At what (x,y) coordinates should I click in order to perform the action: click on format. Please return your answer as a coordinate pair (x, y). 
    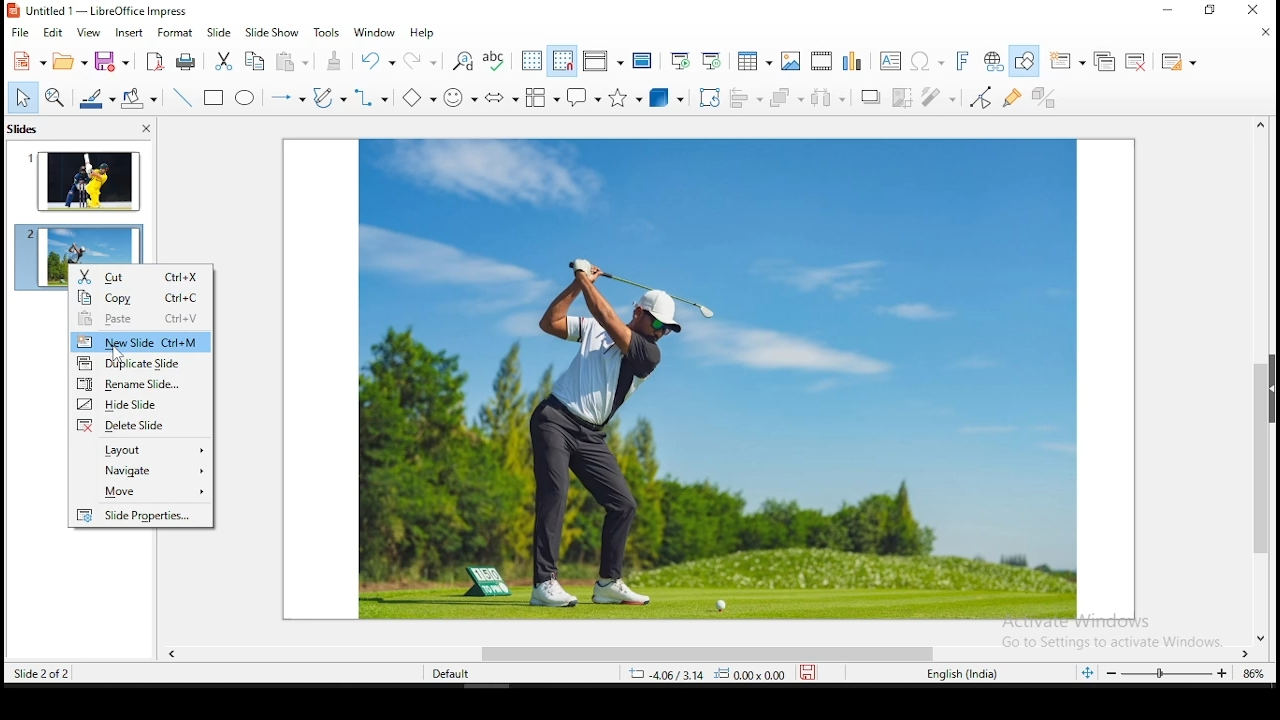
    Looking at the image, I should click on (176, 35).